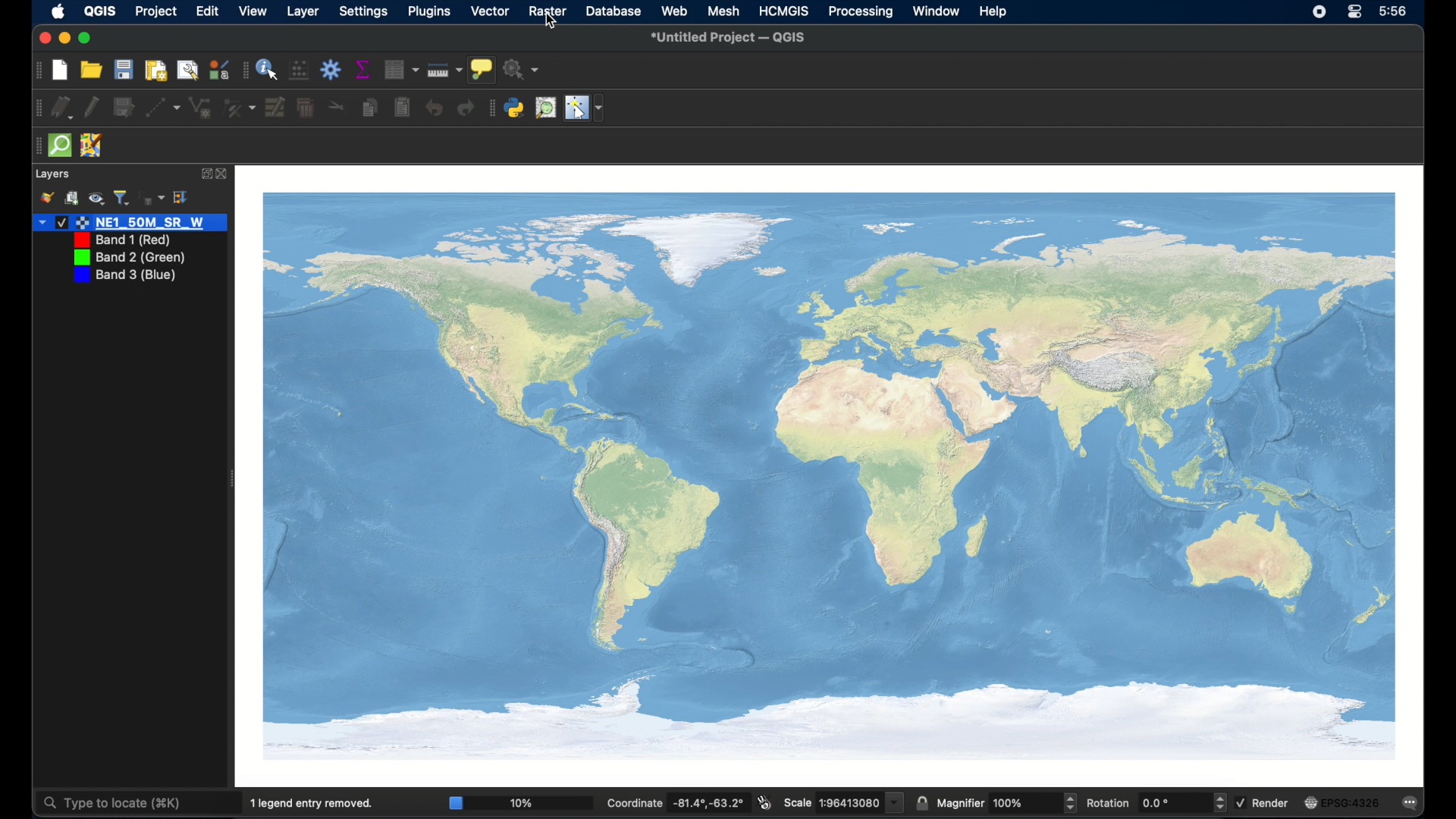  What do you see at coordinates (402, 69) in the screenshot?
I see `` at bounding box center [402, 69].